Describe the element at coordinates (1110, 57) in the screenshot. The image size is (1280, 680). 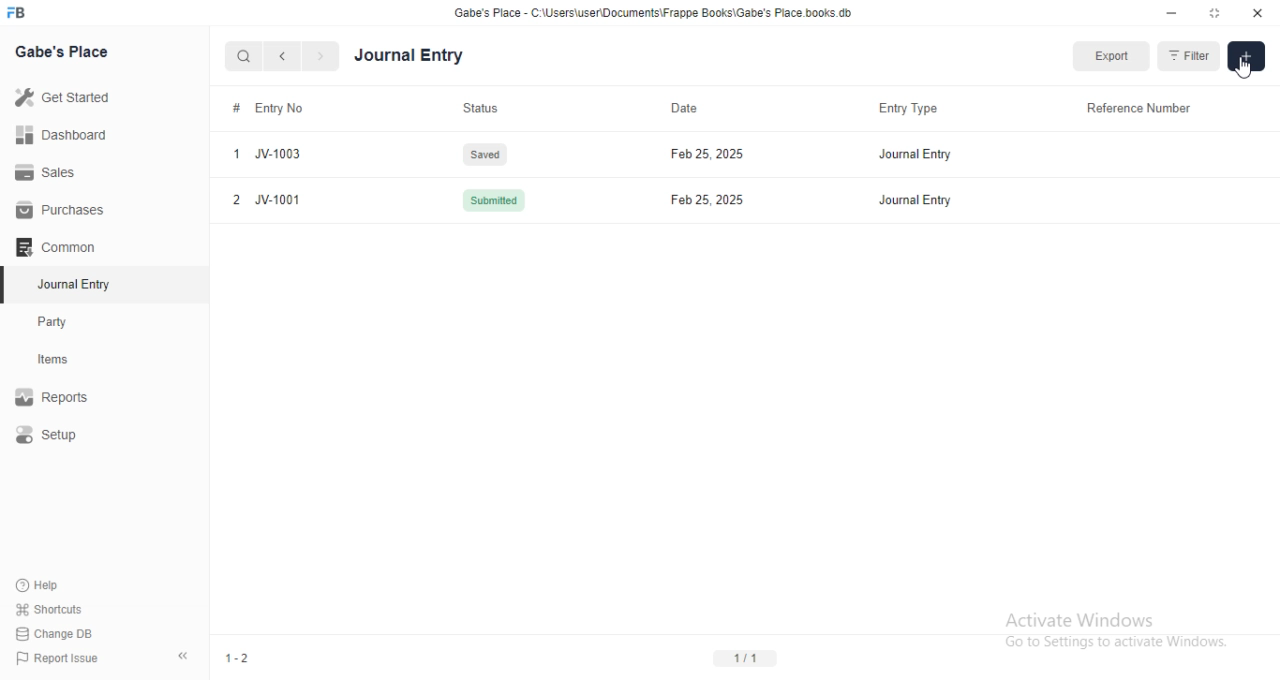
I see `Export` at that location.